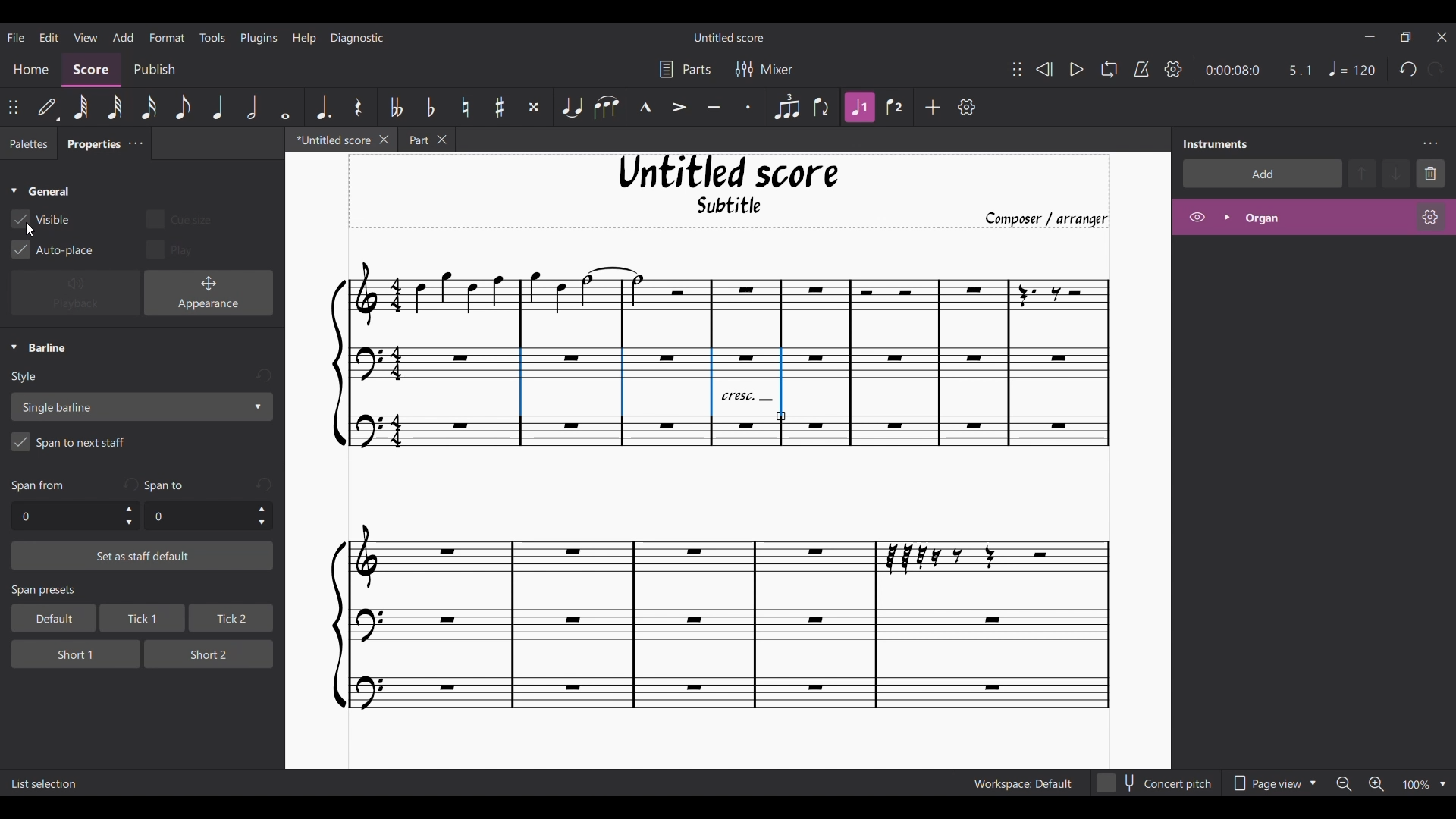 The image size is (1456, 819). What do you see at coordinates (967, 107) in the screenshot?
I see `Customize toolbar` at bounding box center [967, 107].